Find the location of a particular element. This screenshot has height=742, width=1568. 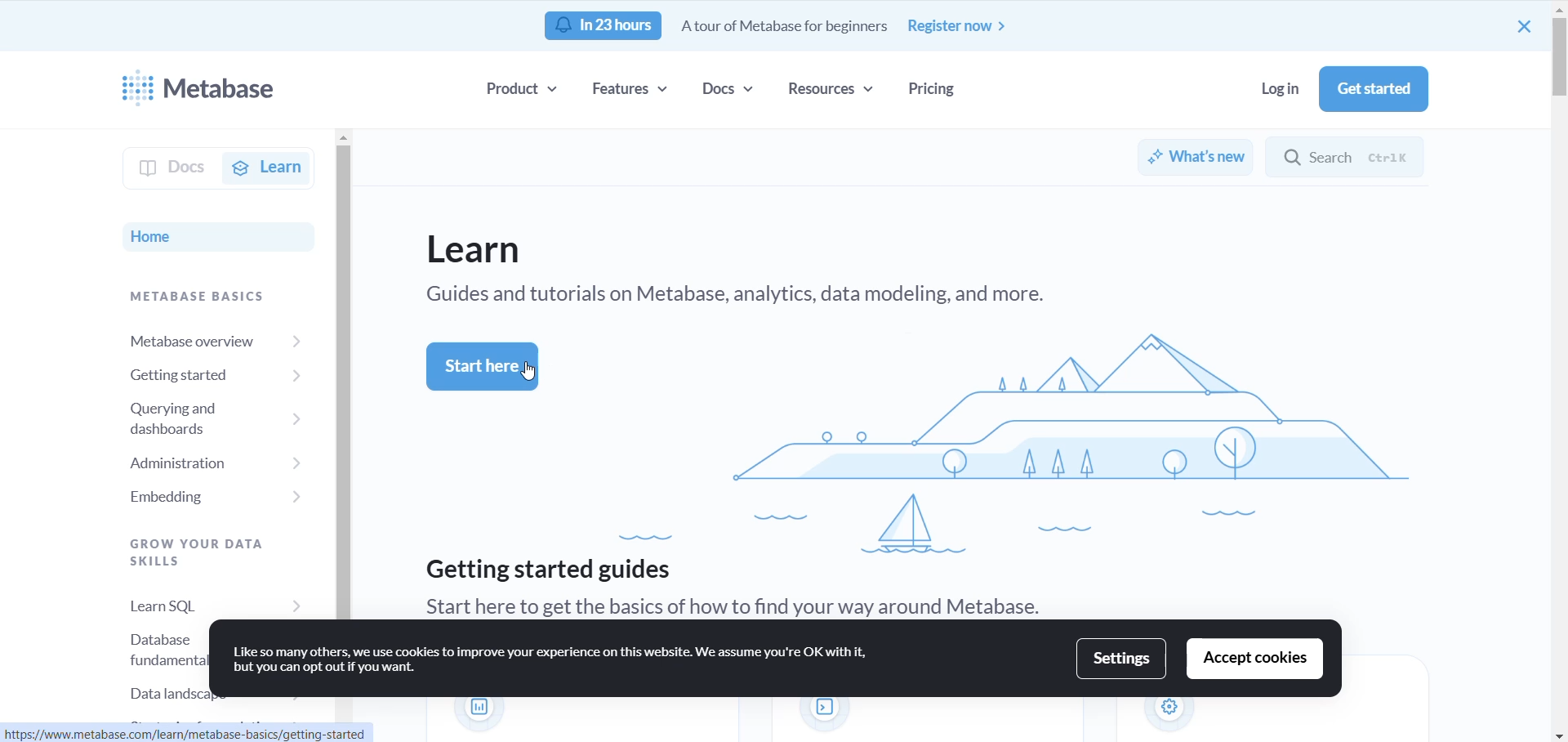

move up is located at coordinates (1557, 11).